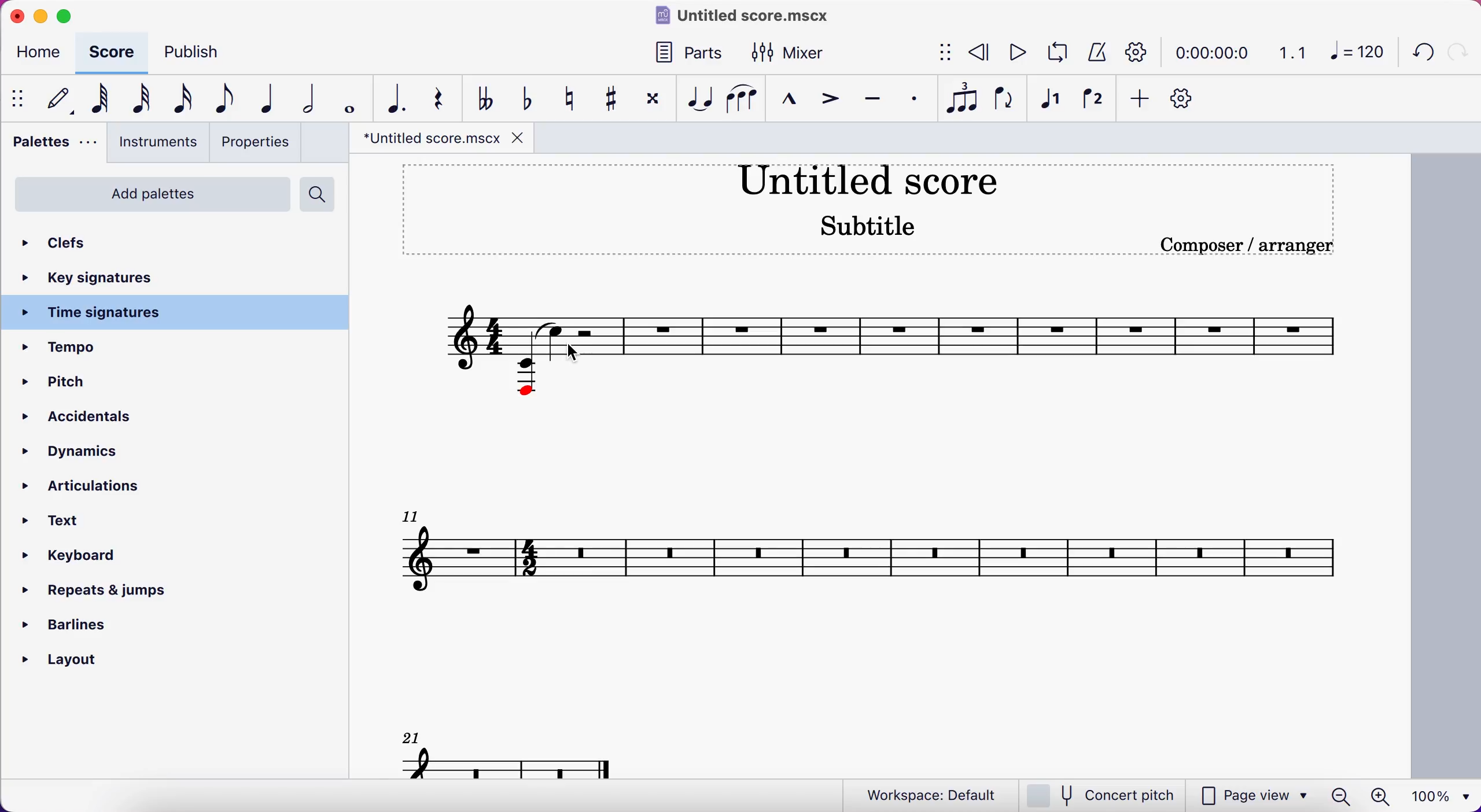 This screenshot has height=812, width=1481. I want to click on palettes, so click(56, 147).